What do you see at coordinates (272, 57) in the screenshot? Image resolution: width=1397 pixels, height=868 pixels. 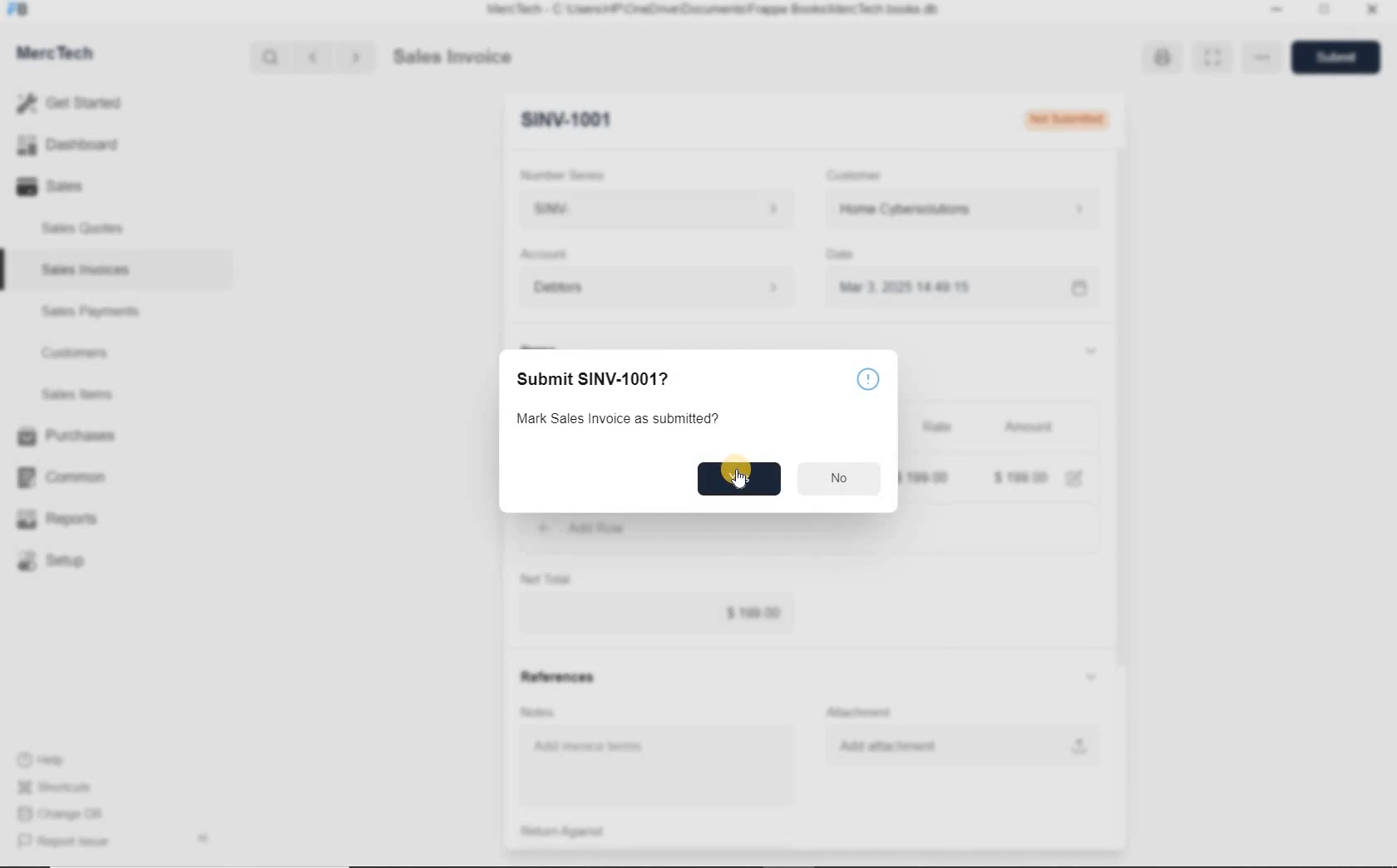 I see `Search` at bounding box center [272, 57].